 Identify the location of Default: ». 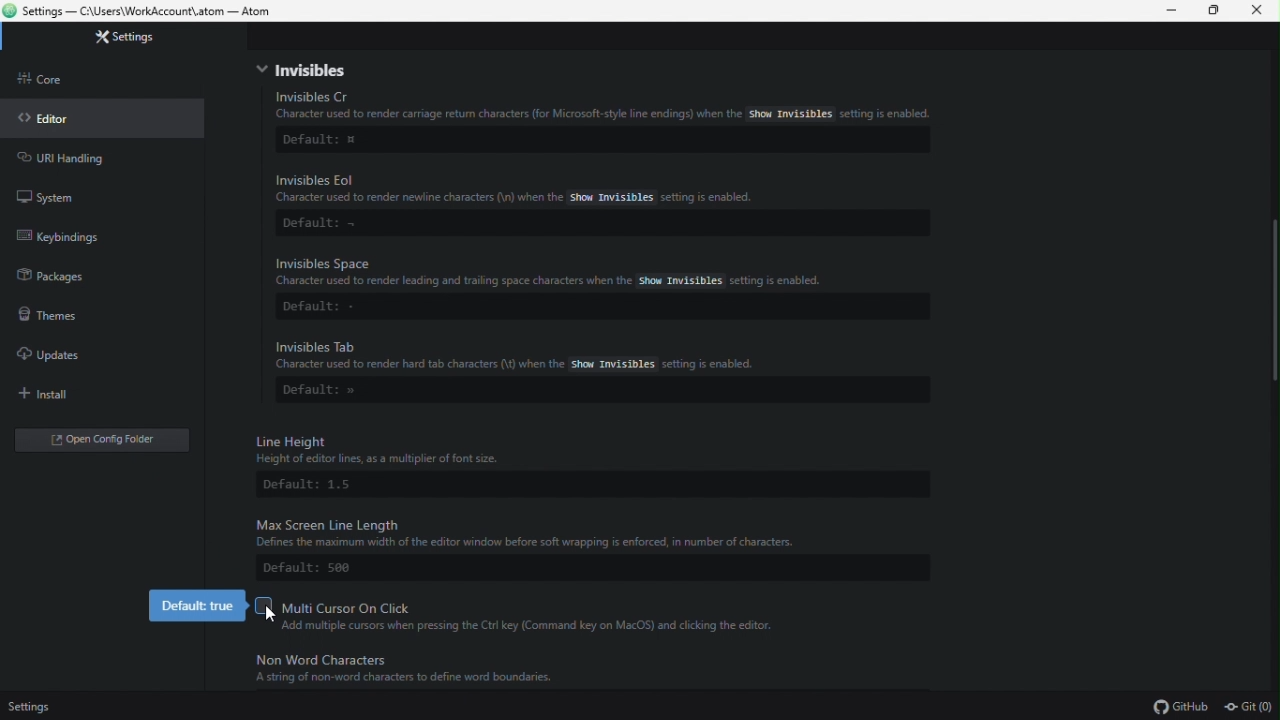
(338, 391).